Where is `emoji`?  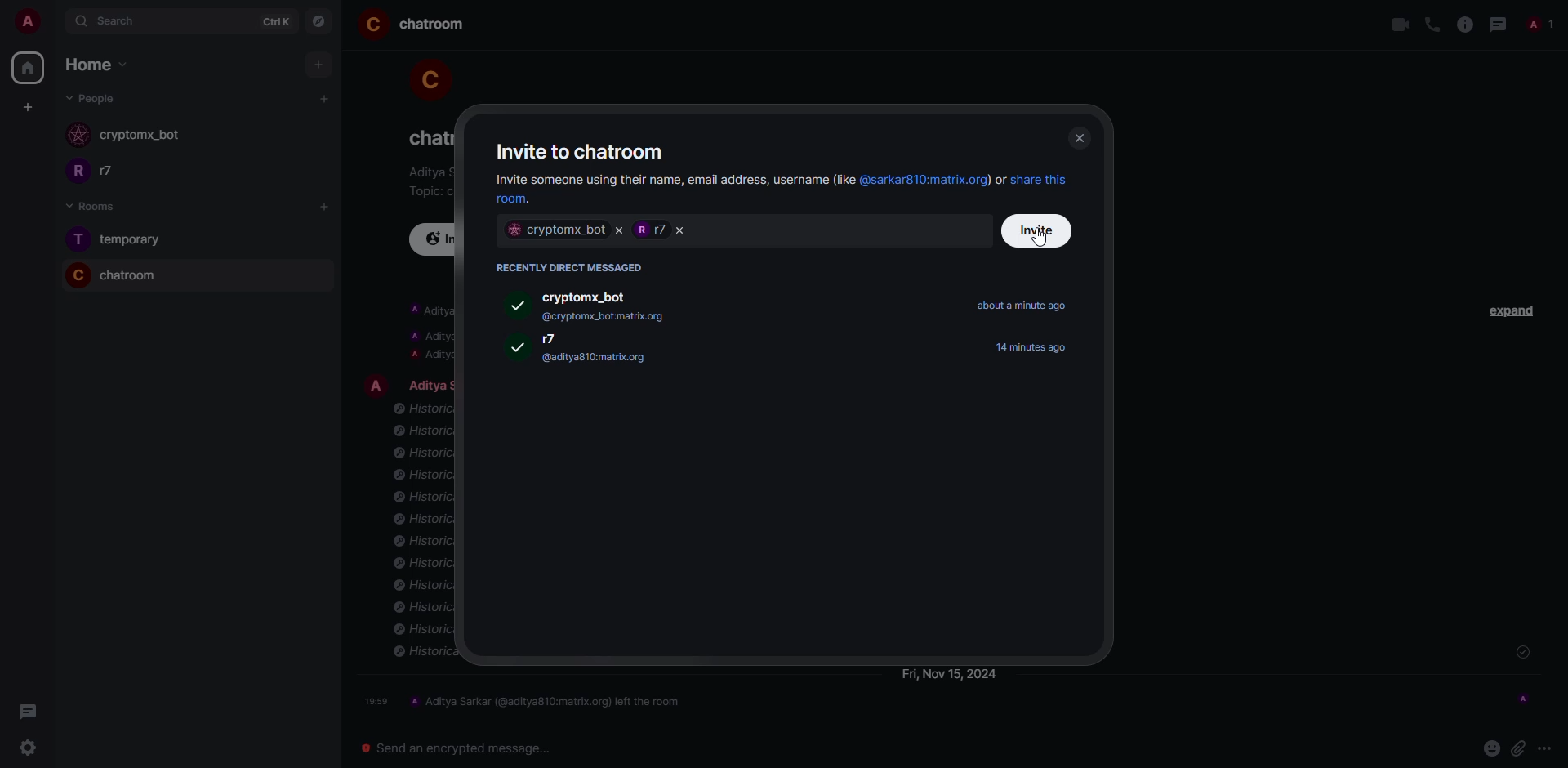
emoji is located at coordinates (1490, 747).